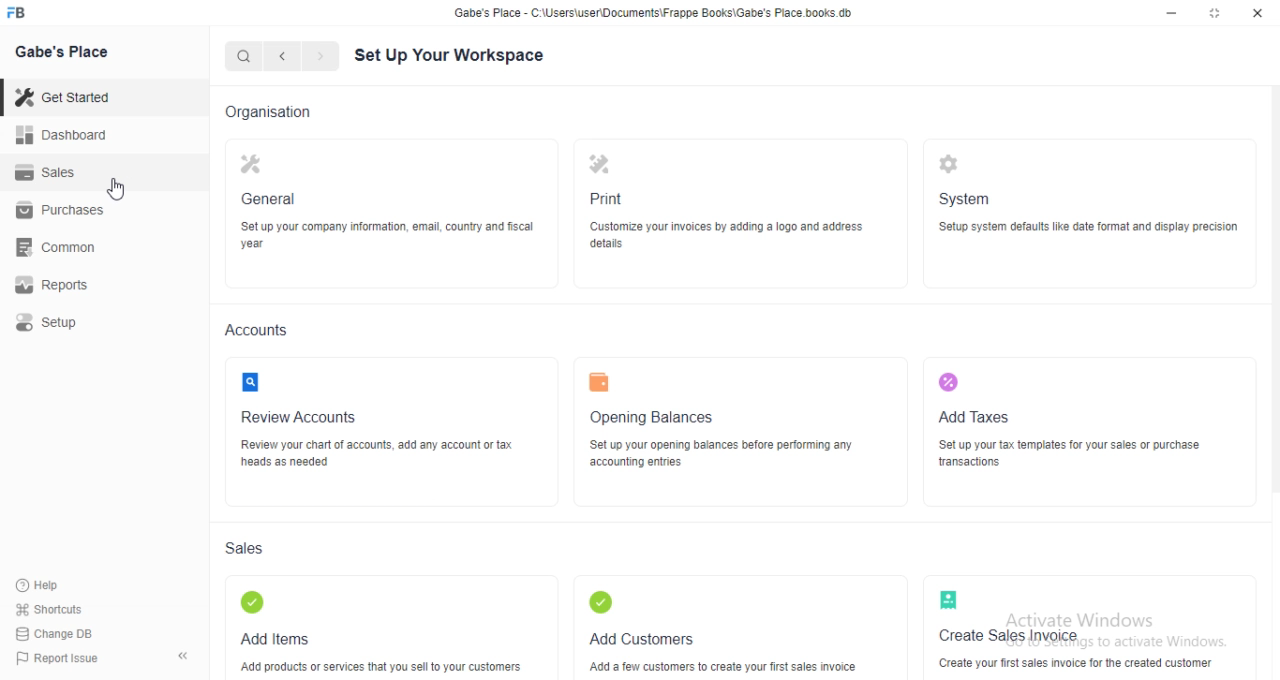 This screenshot has height=680, width=1280. Describe the element at coordinates (277, 612) in the screenshot. I see `Add Items` at that location.